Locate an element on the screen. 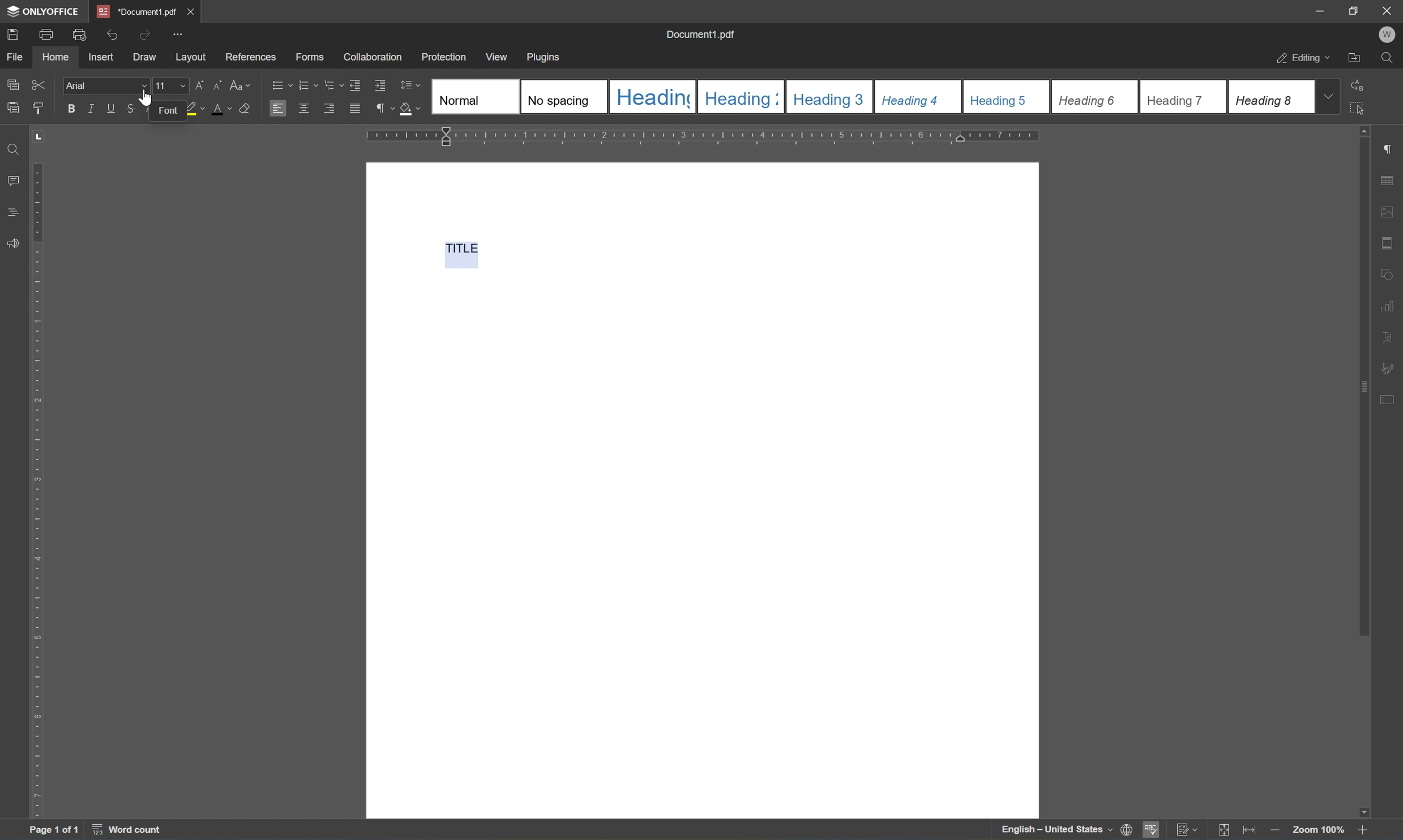  fit to slide is located at coordinates (1225, 831).